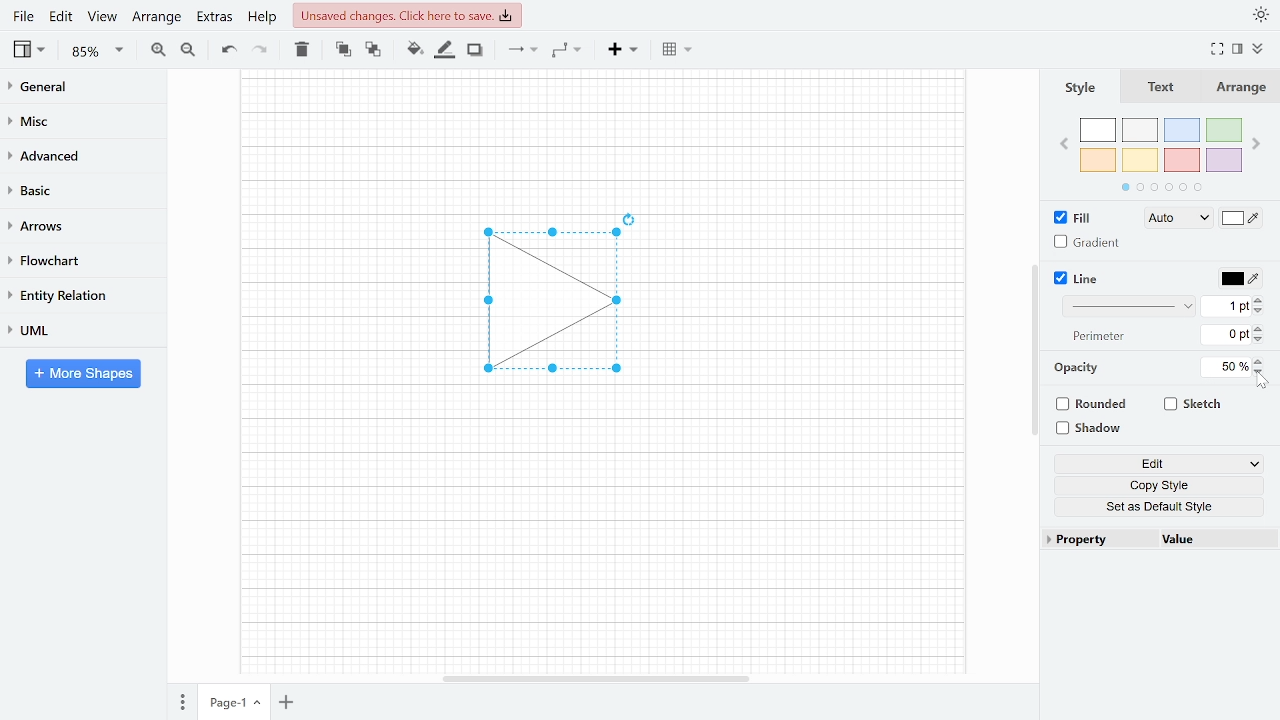  I want to click on violet, so click(1223, 160).